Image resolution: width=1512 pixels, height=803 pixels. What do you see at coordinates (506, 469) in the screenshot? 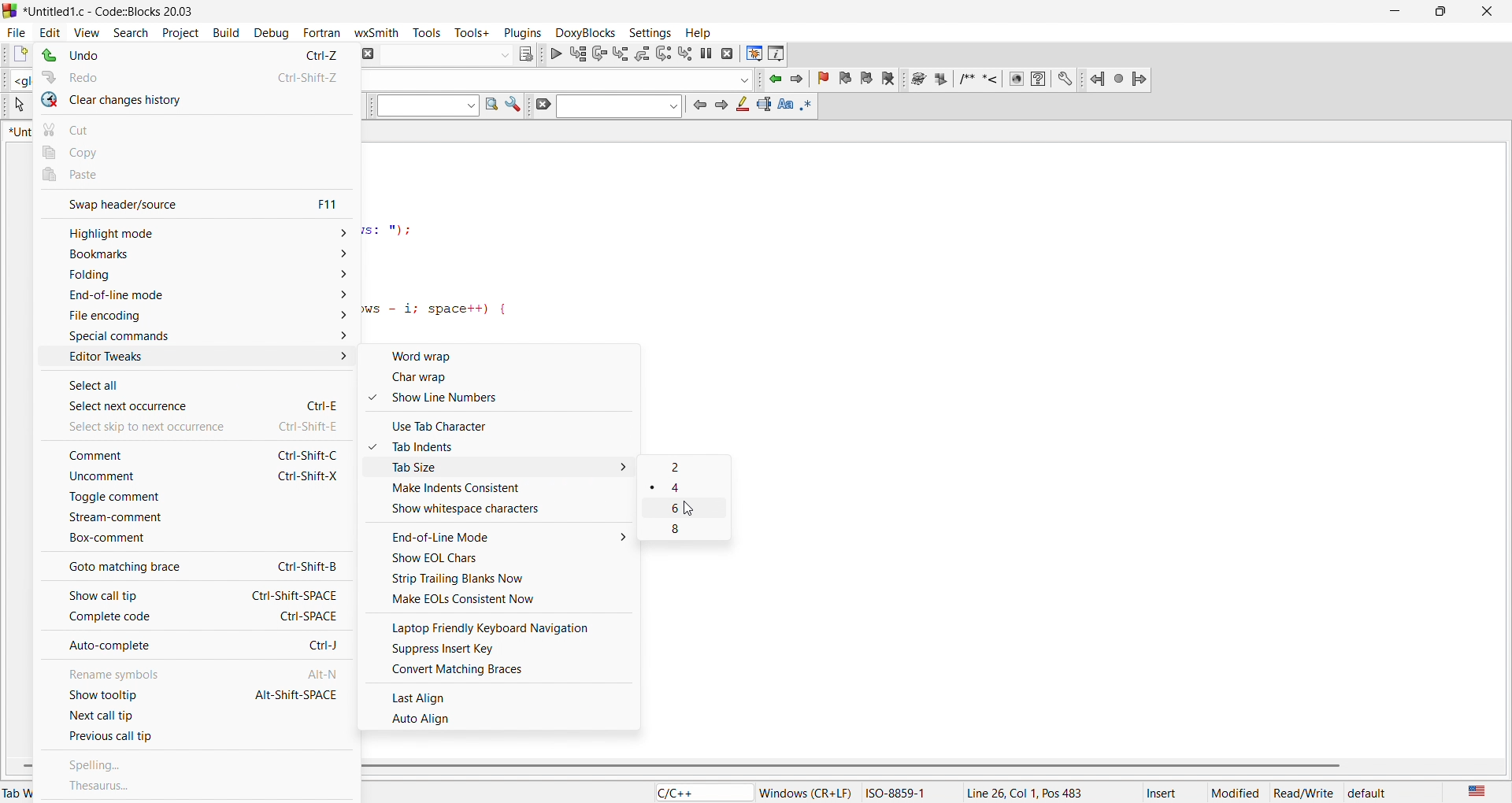
I see `tab size ` at bounding box center [506, 469].